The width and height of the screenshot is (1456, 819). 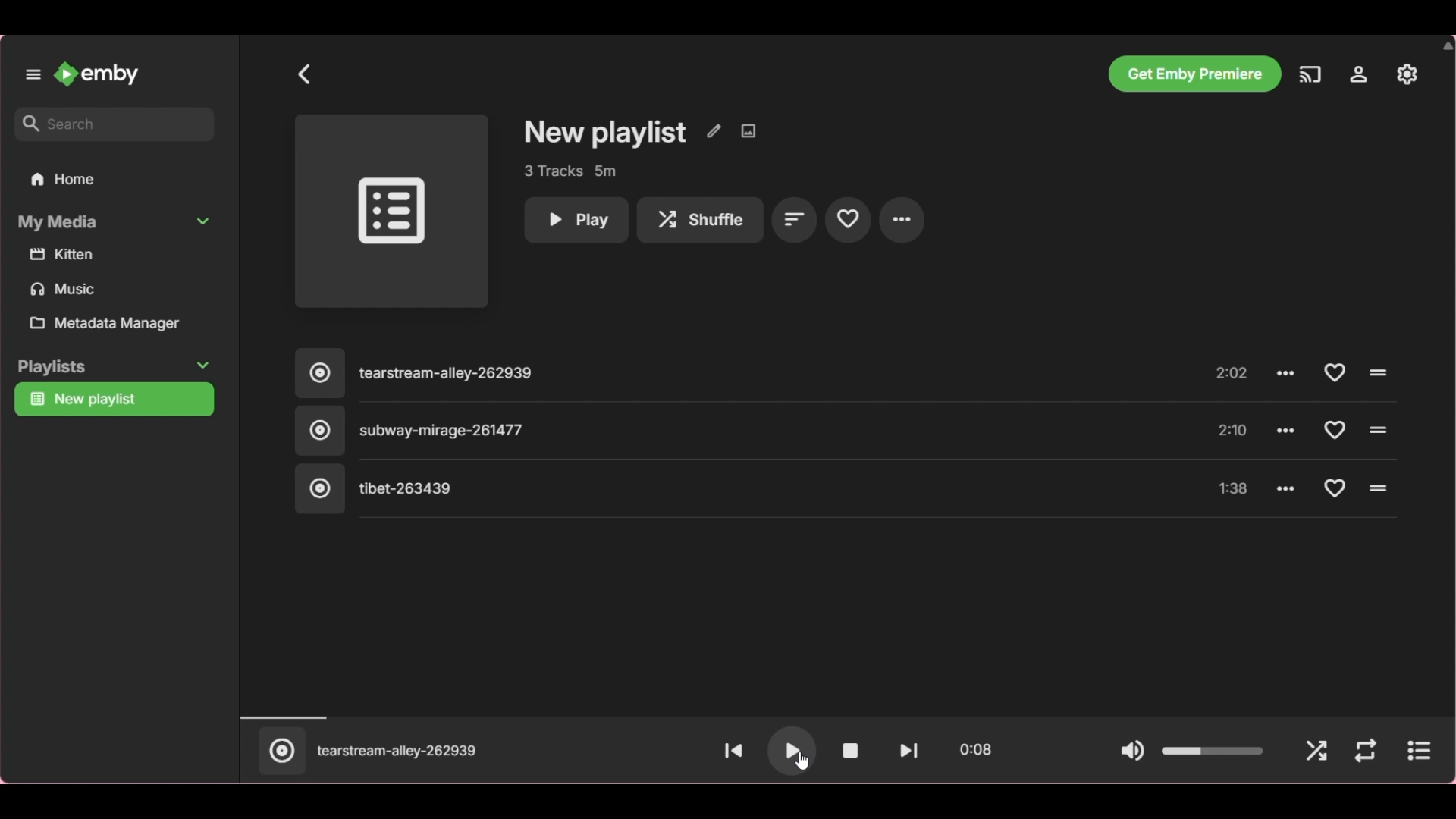 I want to click on Sort by playlist order, so click(x=795, y=219).